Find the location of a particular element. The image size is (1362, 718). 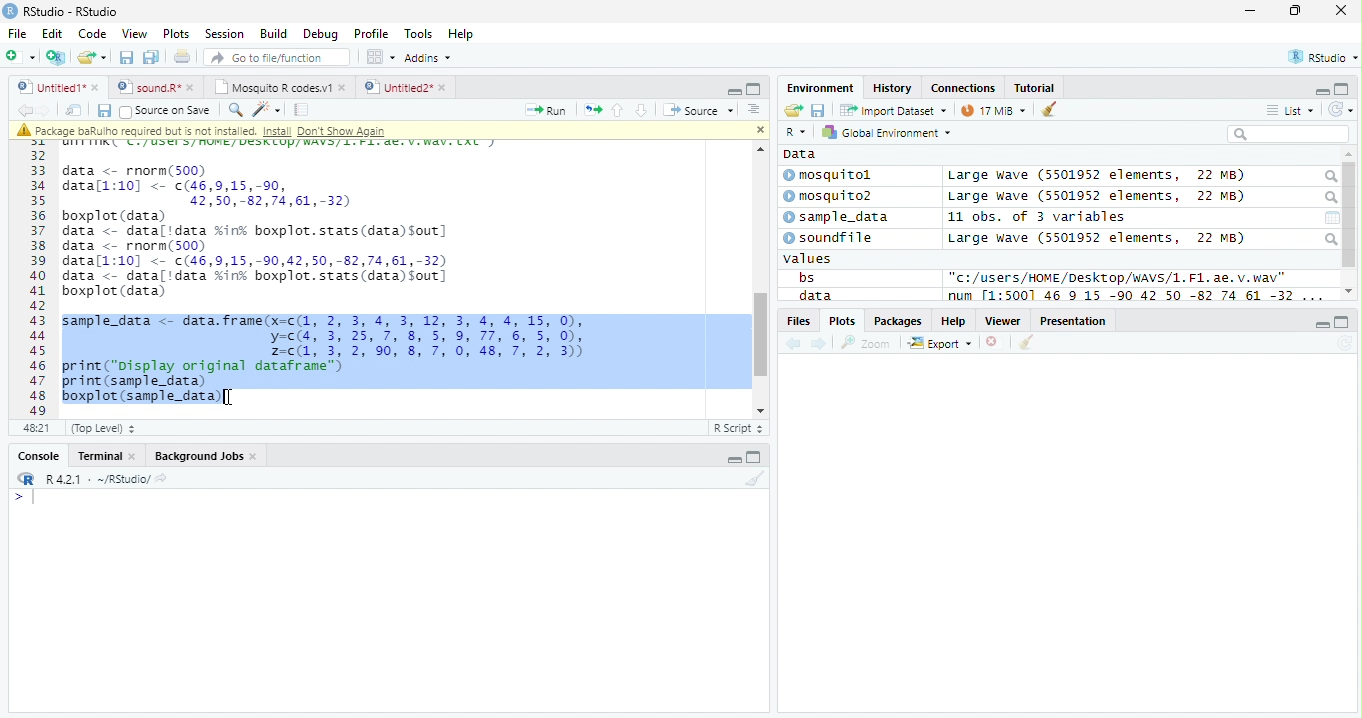

minimize is located at coordinates (1322, 323).